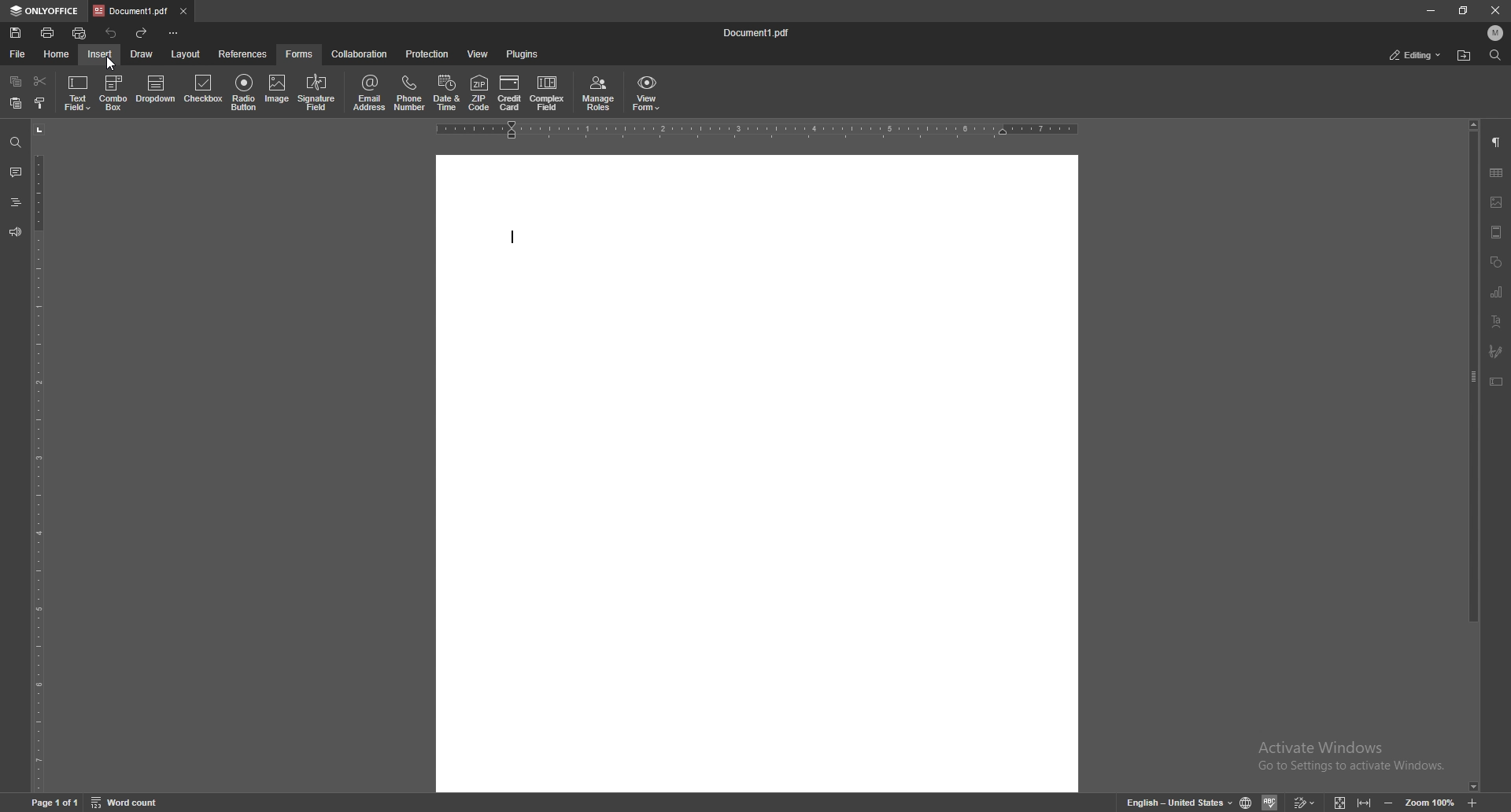 The width and height of the screenshot is (1511, 812). What do you see at coordinates (15, 202) in the screenshot?
I see `headings` at bounding box center [15, 202].